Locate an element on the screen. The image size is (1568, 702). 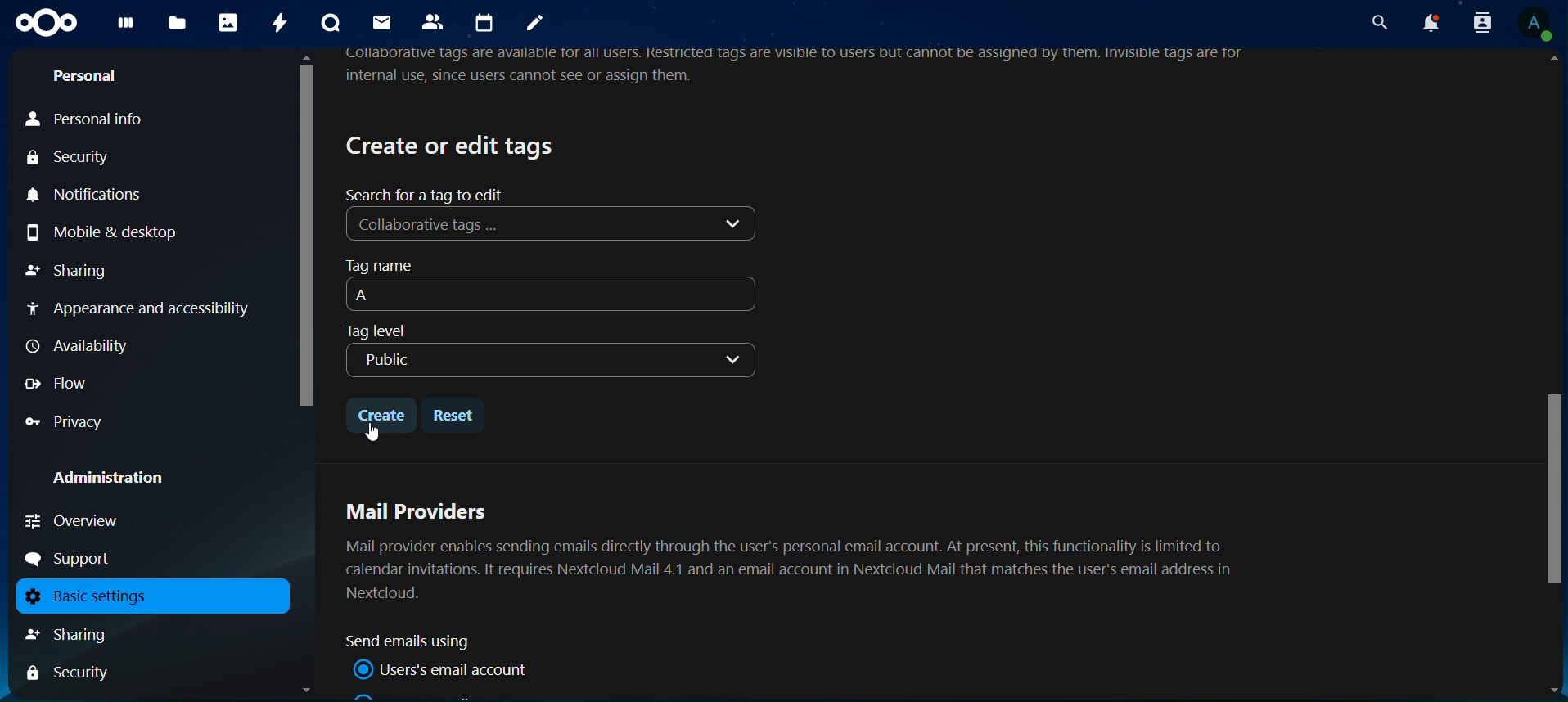
flow is located at coordinates (59, 383).